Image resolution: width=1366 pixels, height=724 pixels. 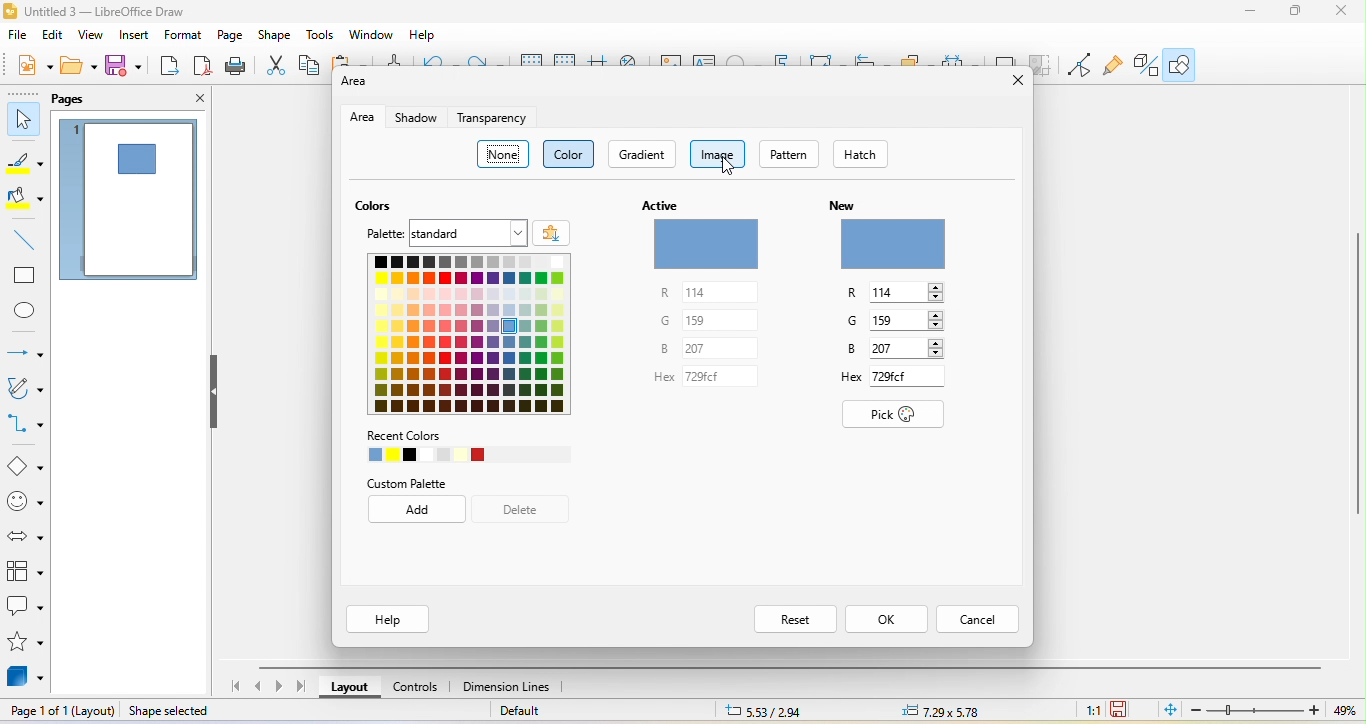 I want to click on r 114, so click(x=894, y=294).